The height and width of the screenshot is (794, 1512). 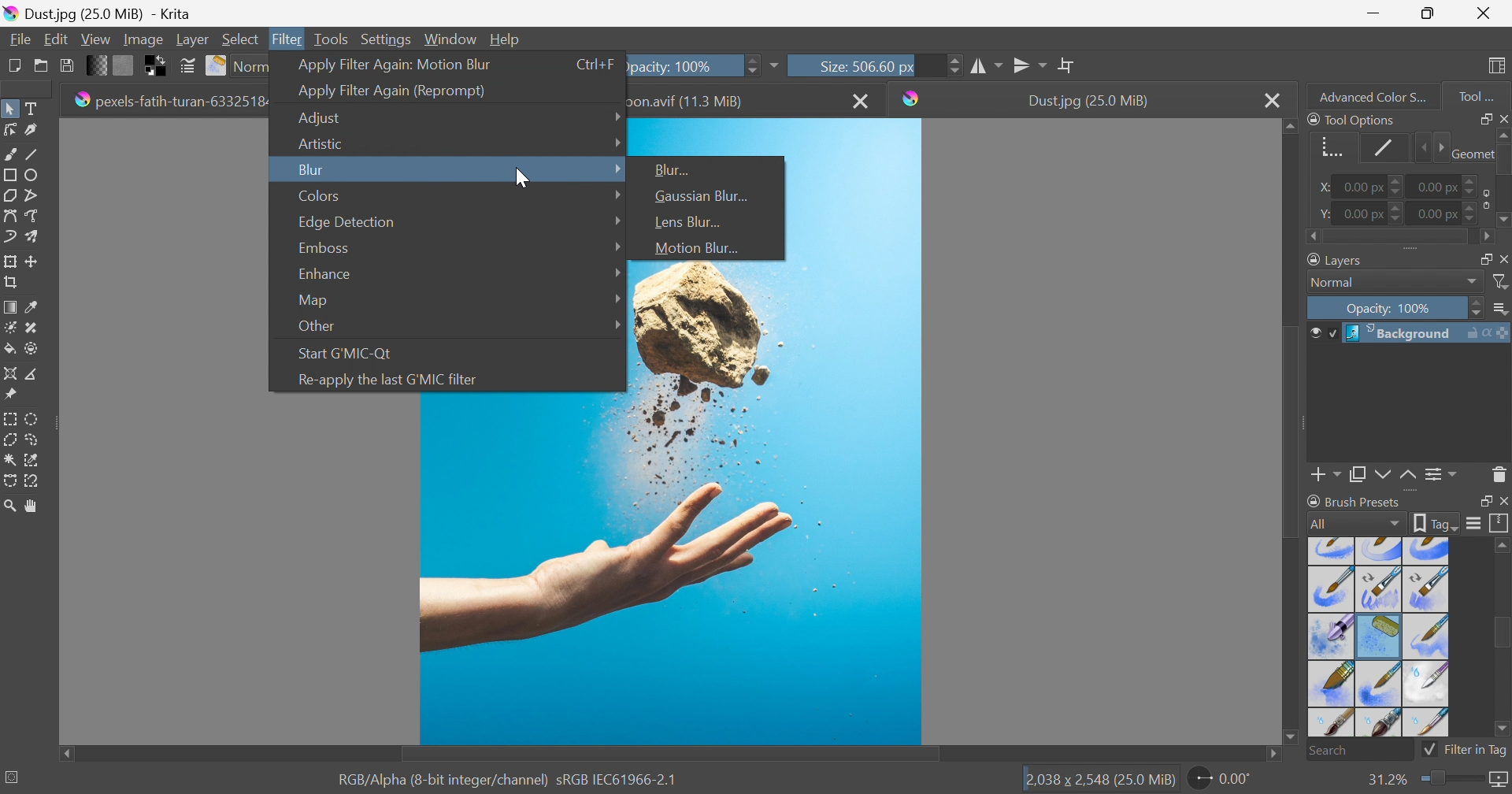 I want to click on Settings, so click(x=388, y=39).